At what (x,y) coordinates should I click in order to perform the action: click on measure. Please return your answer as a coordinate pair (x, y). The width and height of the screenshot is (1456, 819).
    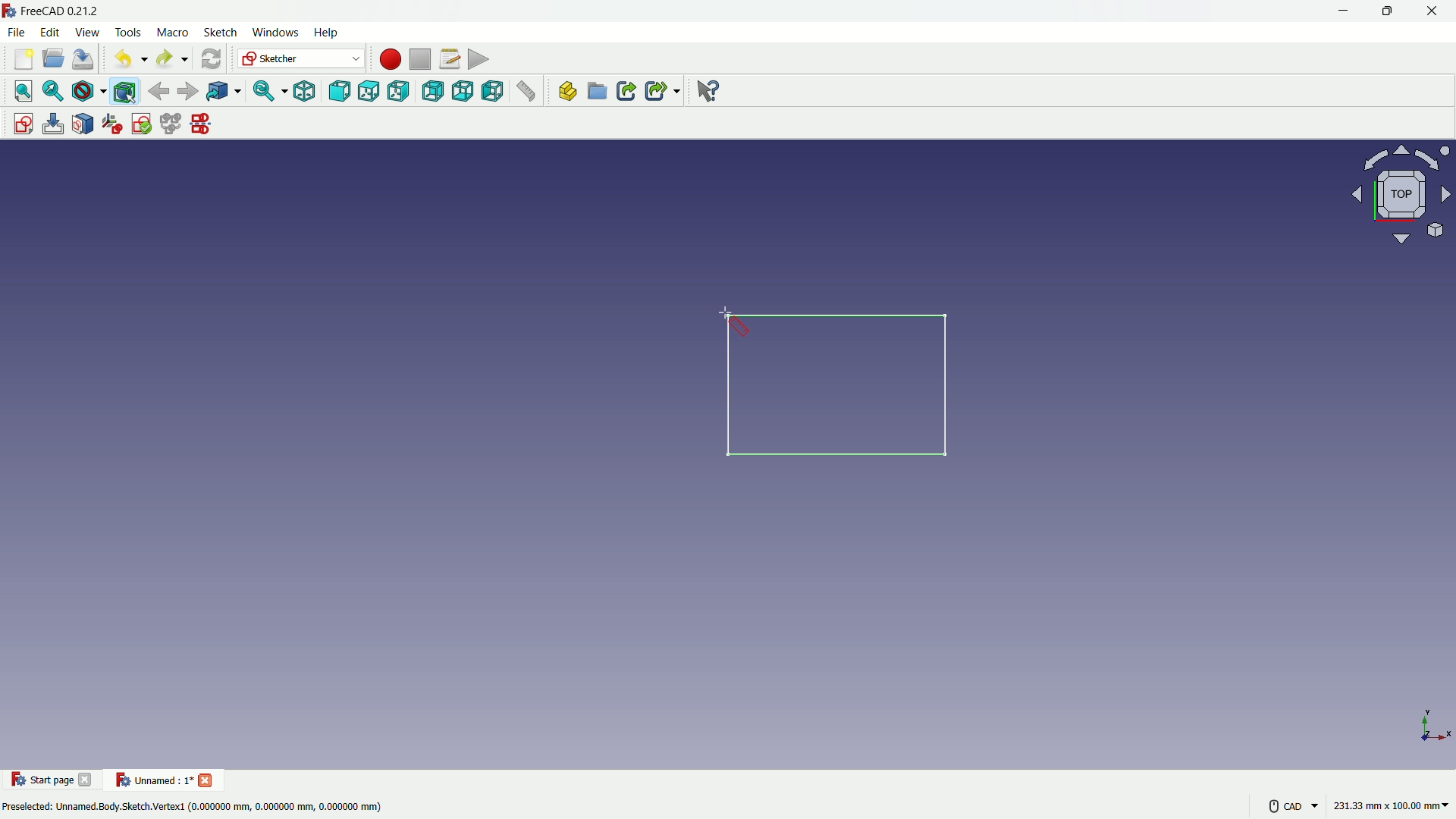
    Looking at the image, I should click on (528, 93).